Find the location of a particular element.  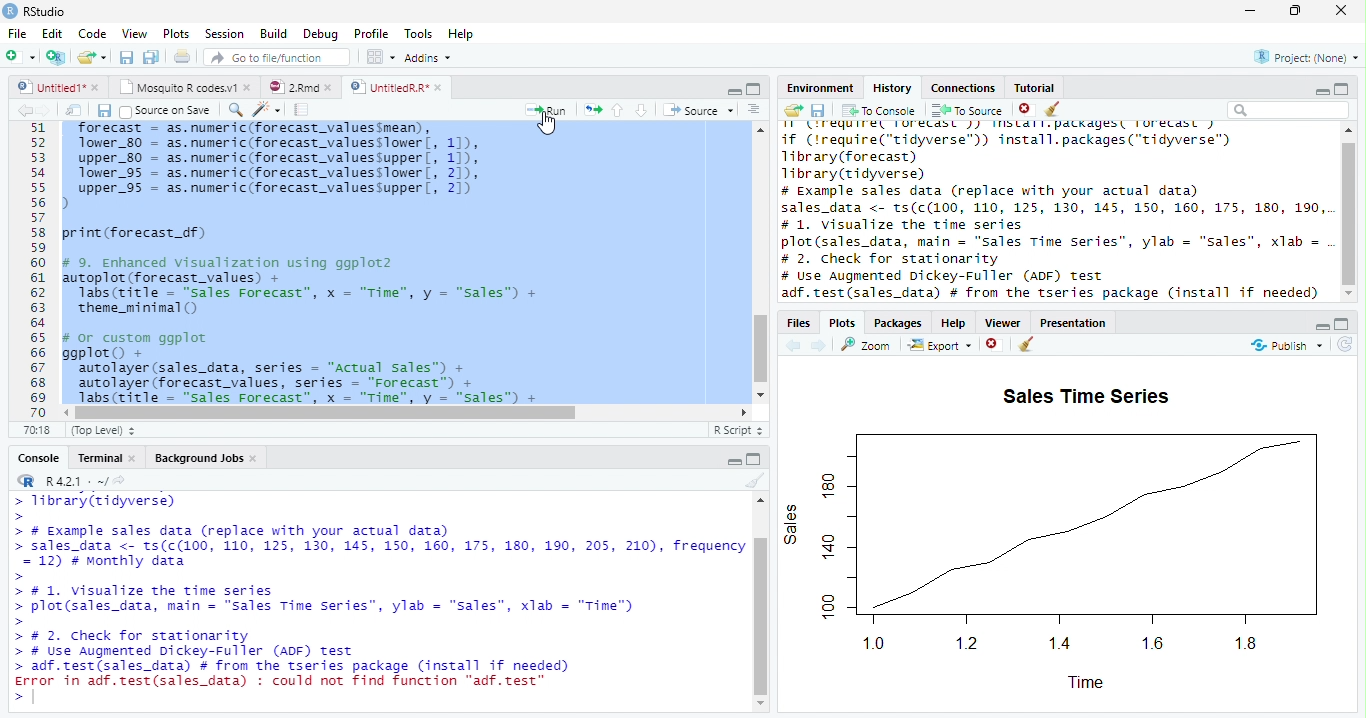

Export is located at coordinates (940, 345).